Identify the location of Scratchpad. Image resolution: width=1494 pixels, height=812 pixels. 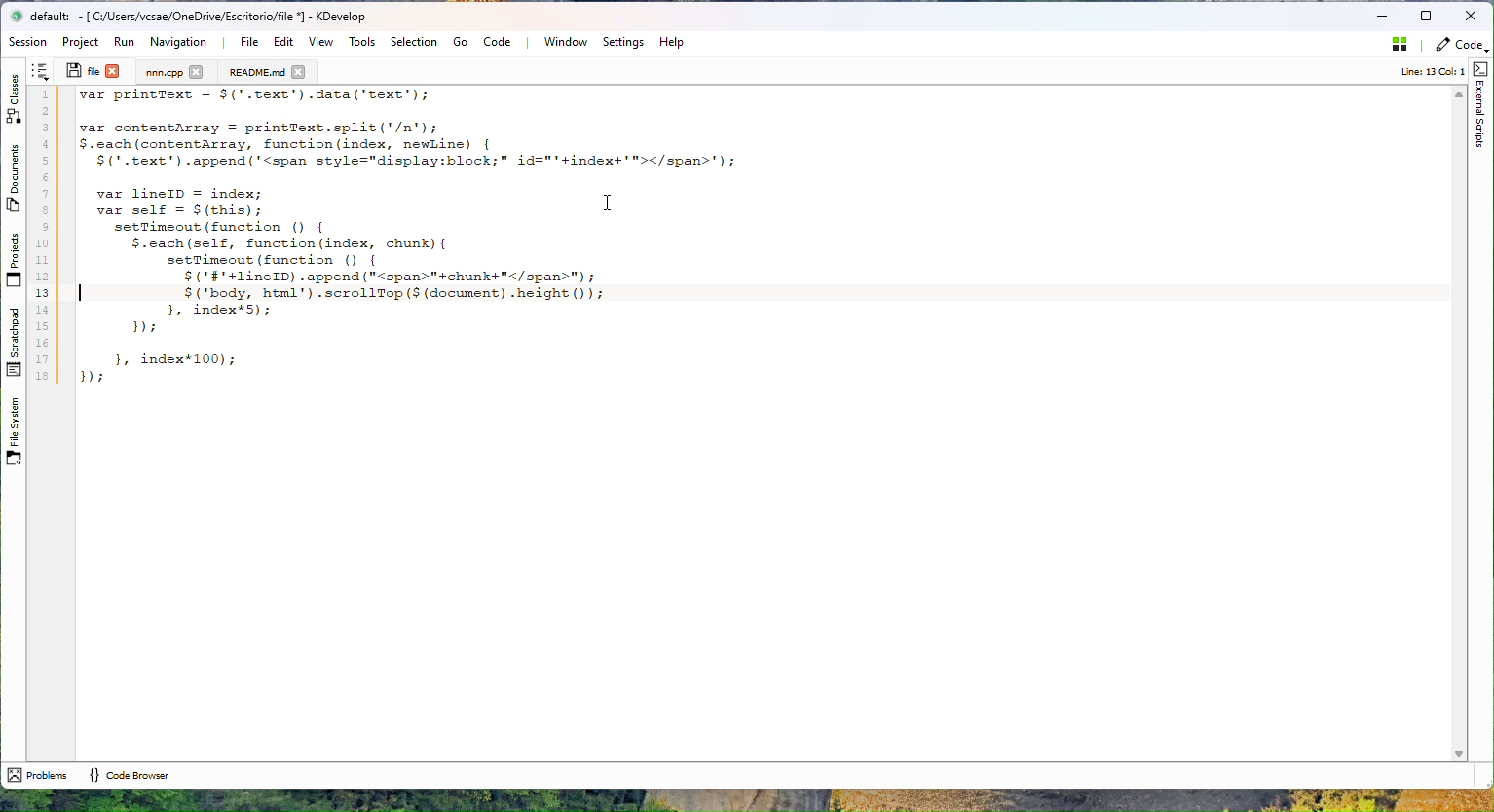
(13, 342).